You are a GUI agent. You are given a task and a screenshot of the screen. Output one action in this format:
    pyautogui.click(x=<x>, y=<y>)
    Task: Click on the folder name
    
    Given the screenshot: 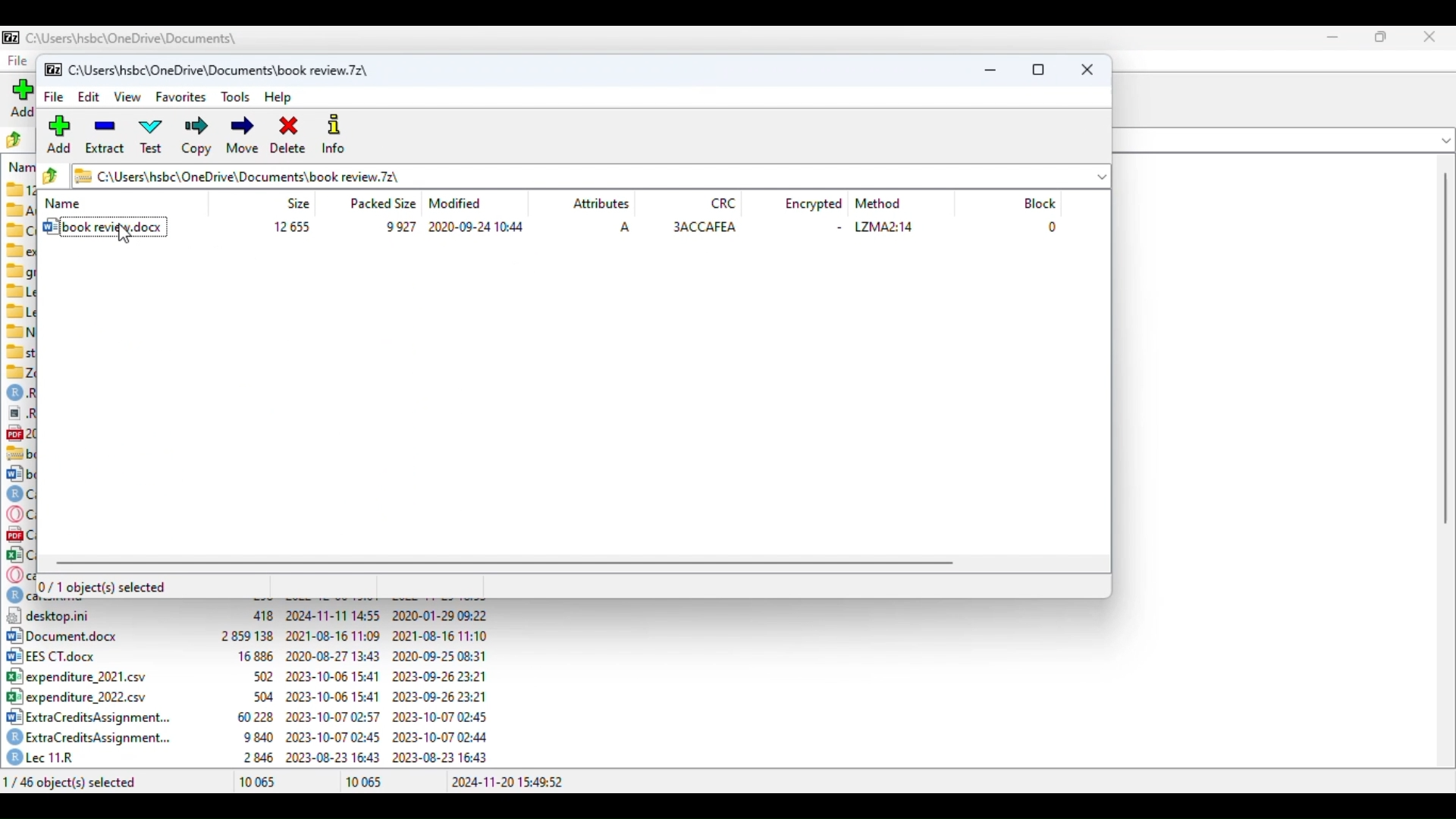 What is the action you would take?
    pyautogui.click(x=219, y=69)
    